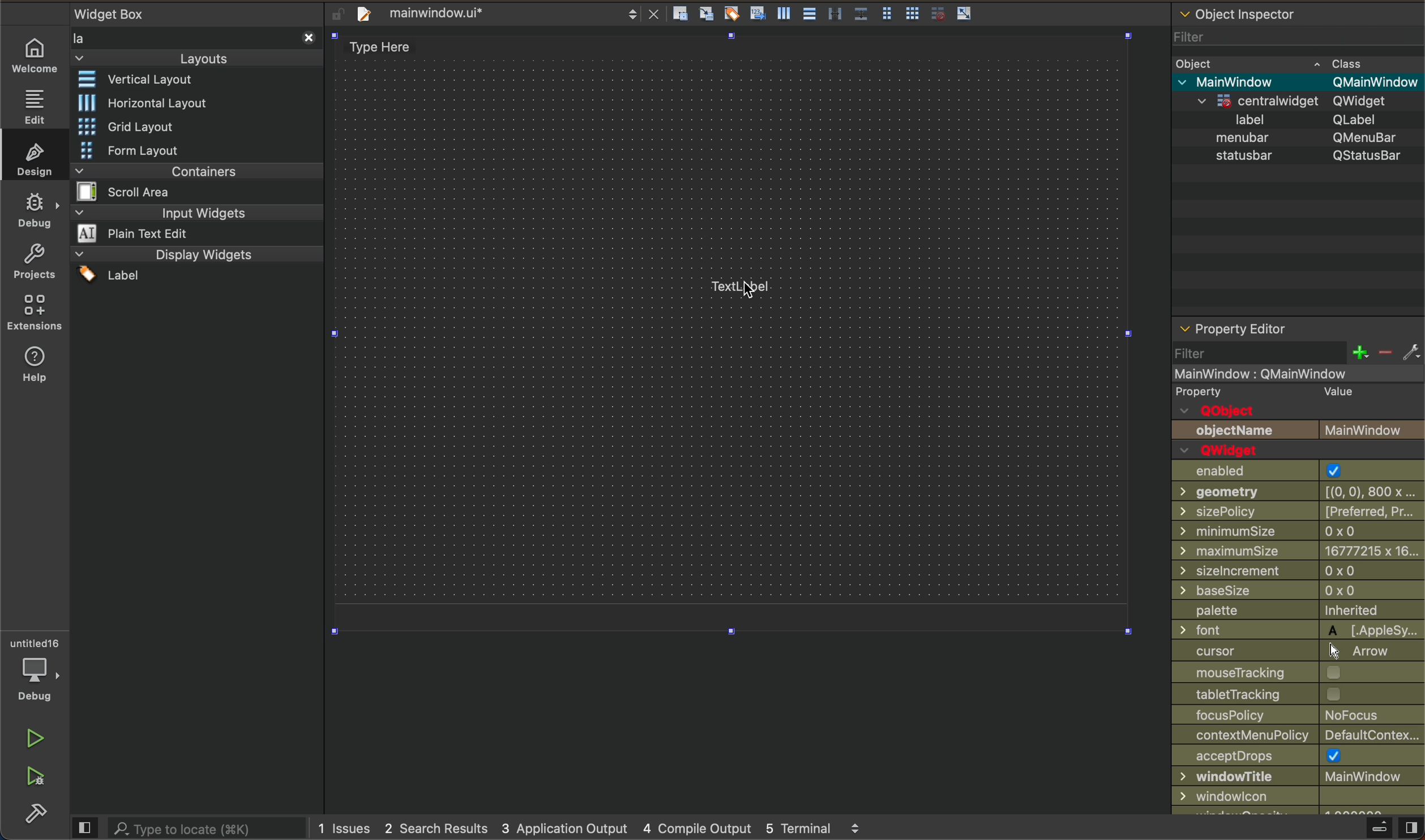 The width and height of the screenshot is (1425, 840). I want to click on widgetbox, so click(121, 14).